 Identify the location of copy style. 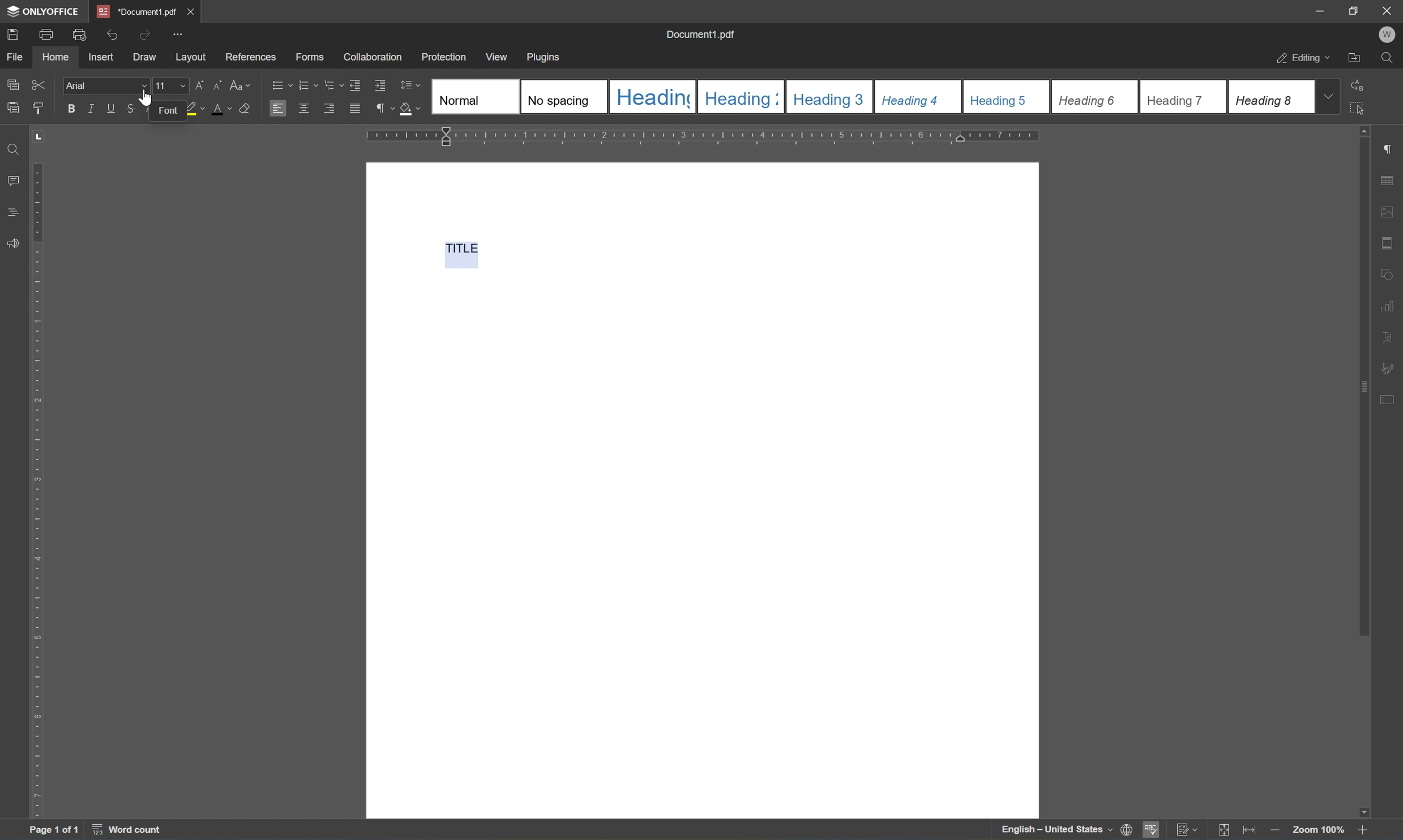
(40, 106).